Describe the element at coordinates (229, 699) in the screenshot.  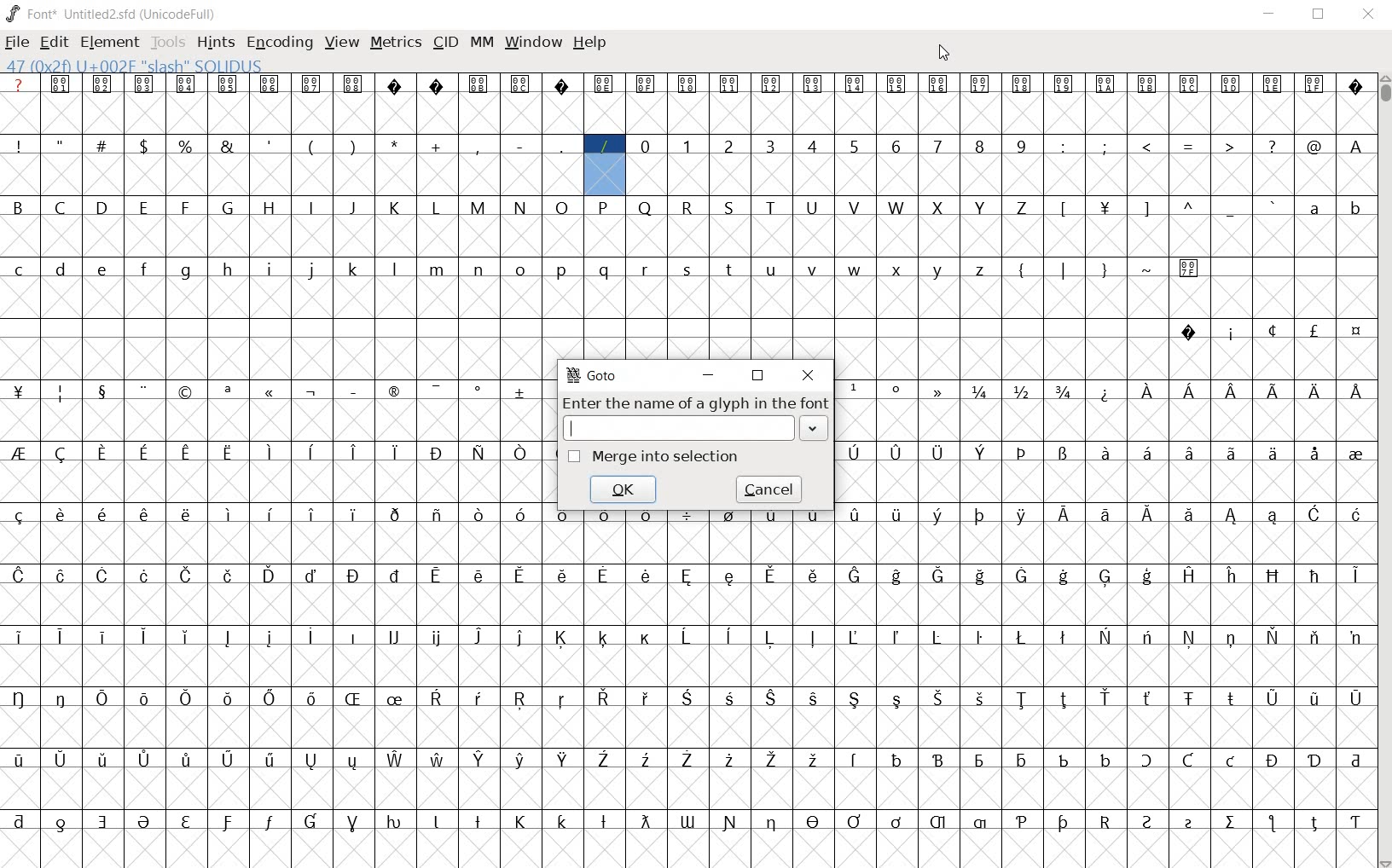
I see `glyph` at that location.